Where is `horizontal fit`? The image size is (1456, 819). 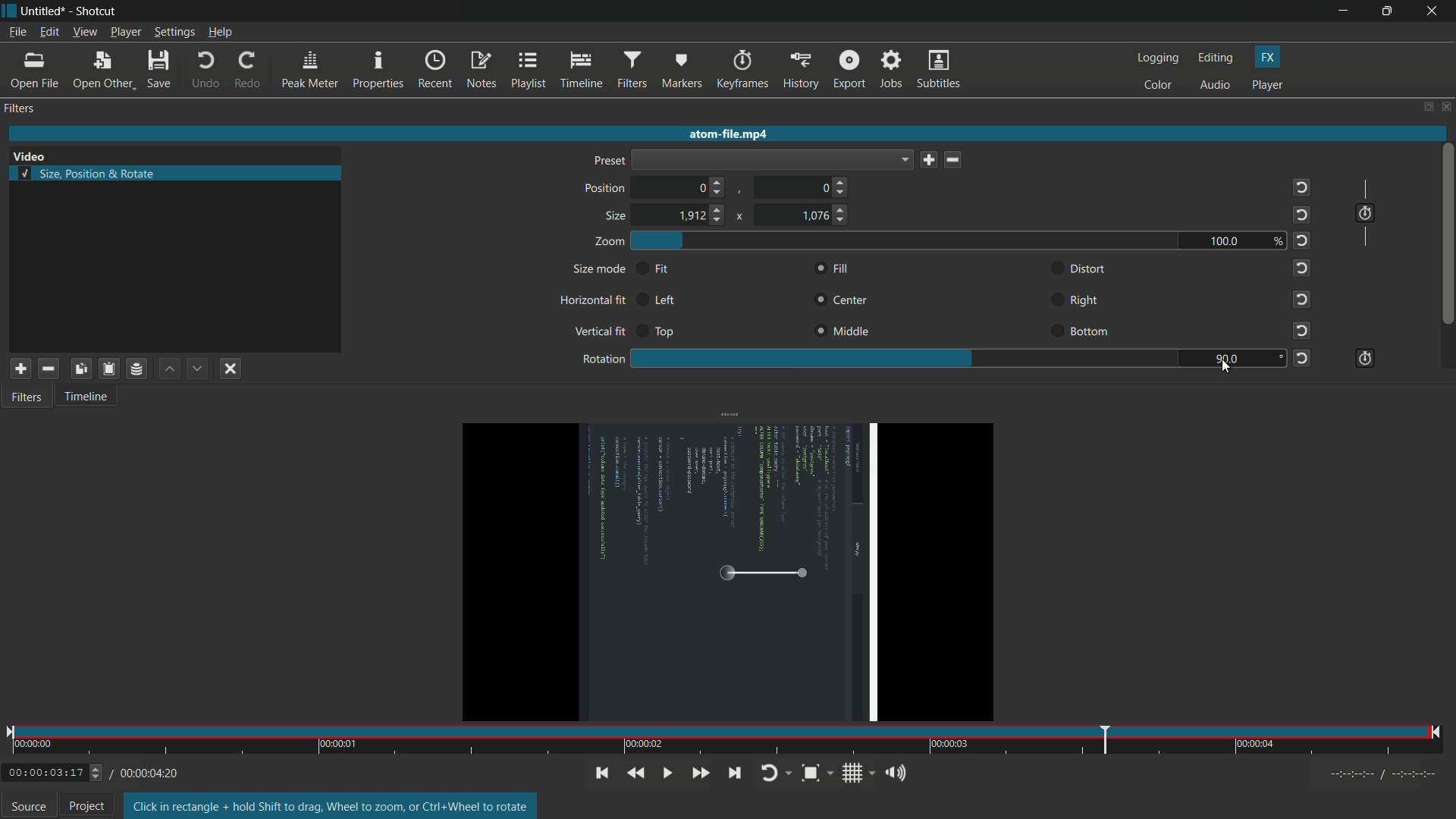
horizontal fit is located at coordinates (594, 301).